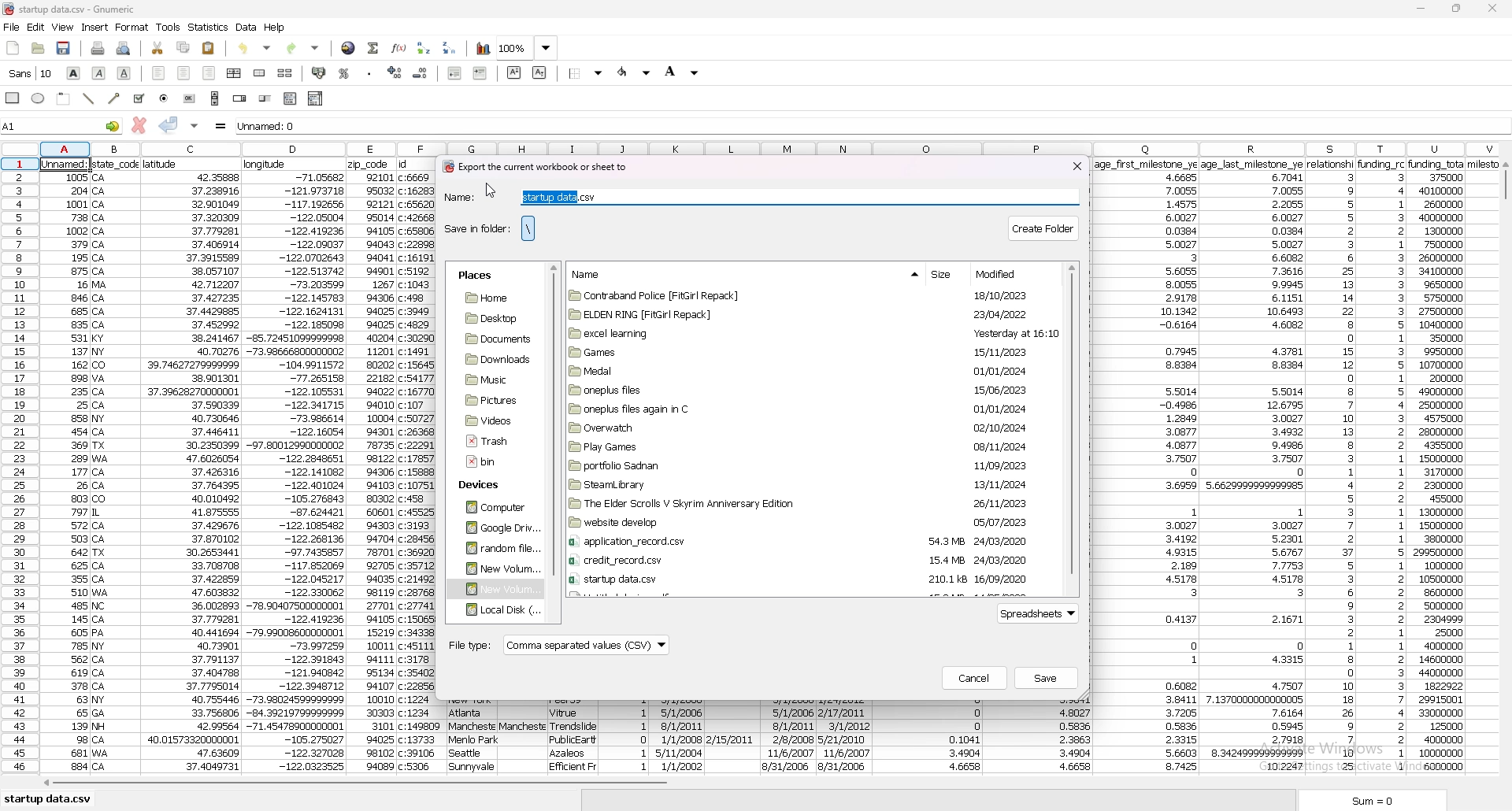  What do you see at coordinates (491, 420) in the screenshot?
I see `folder` at bounding box center [491, 420].